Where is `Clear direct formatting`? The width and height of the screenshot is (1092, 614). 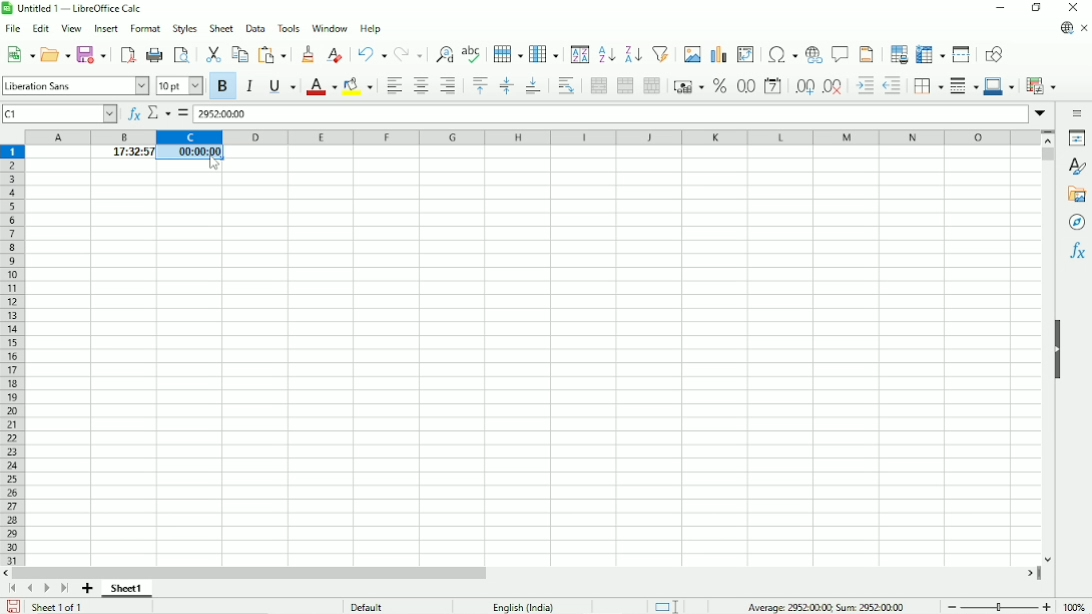 Clear direct formatting is located at coordinates (336, 53).